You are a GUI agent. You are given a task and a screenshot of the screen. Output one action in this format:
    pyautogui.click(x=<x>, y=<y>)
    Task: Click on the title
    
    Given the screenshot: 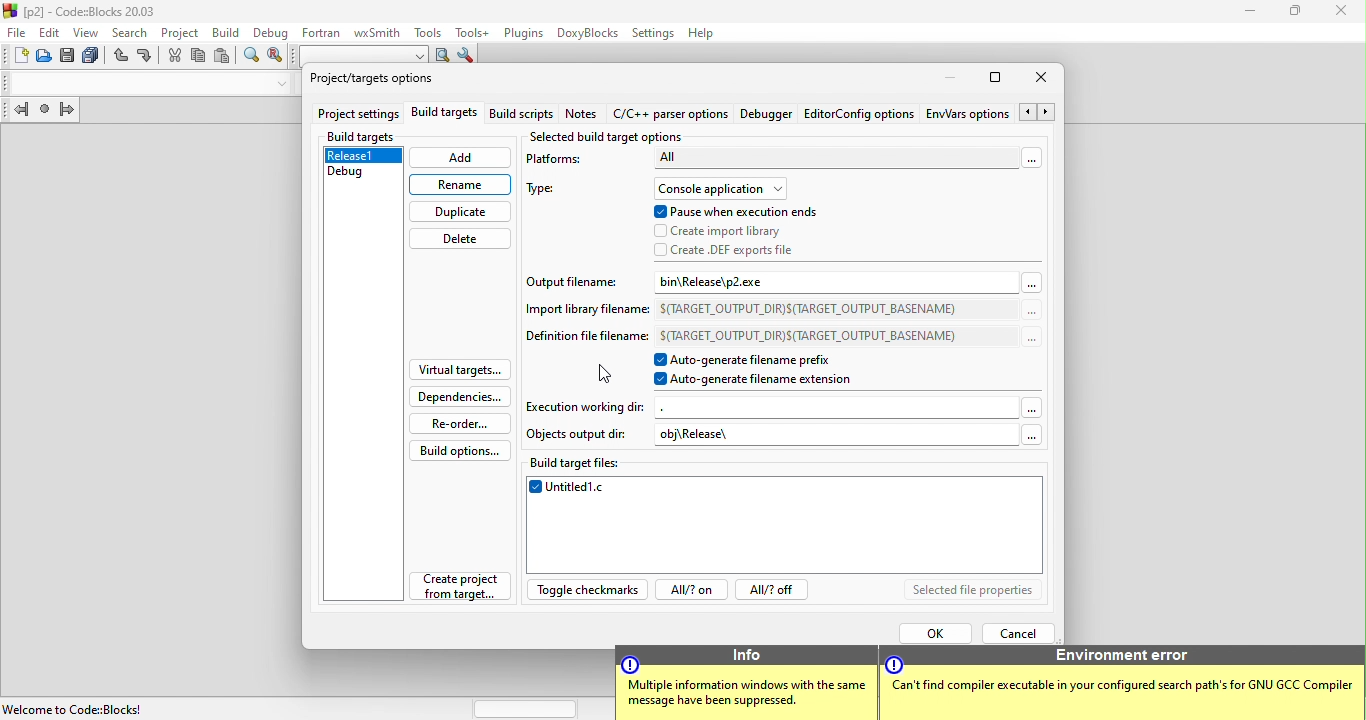 What is the action you would take?
    pyautogui.click(x=84, y=10)
    